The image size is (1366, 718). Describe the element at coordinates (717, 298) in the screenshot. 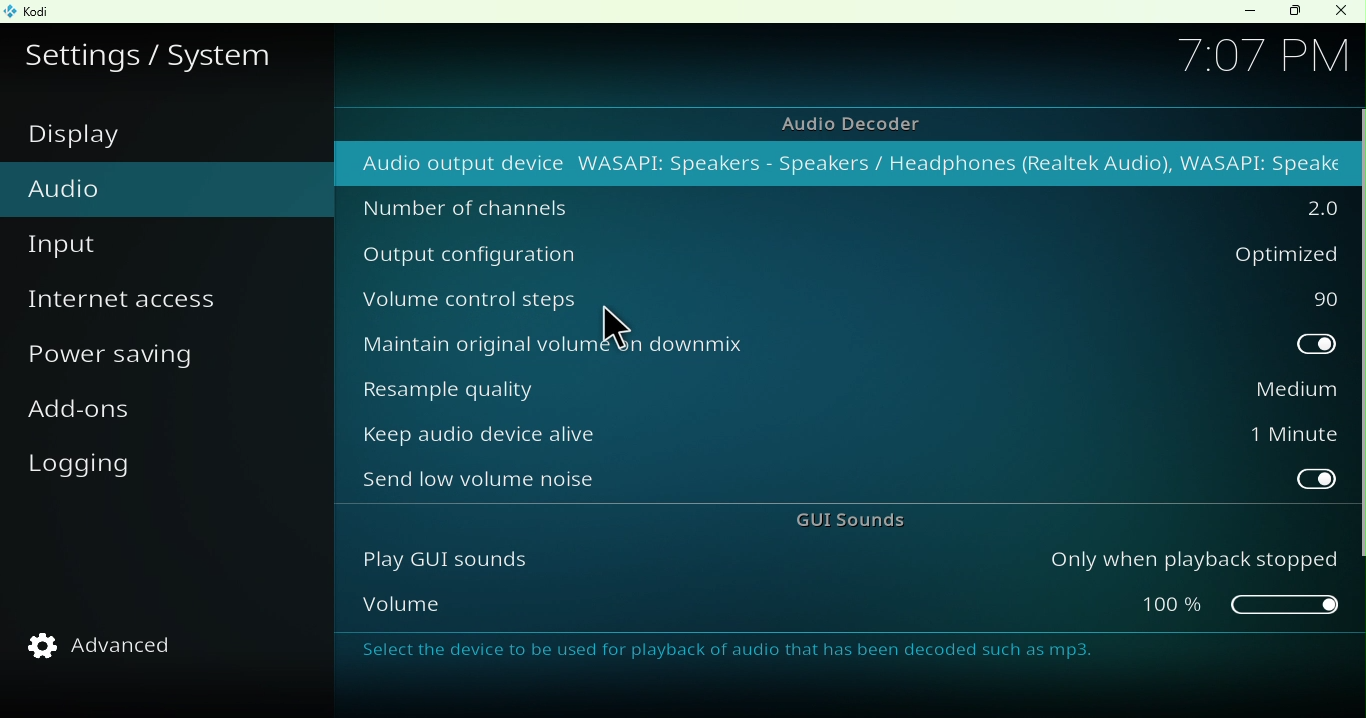

I see `Volume control steps` at that location.